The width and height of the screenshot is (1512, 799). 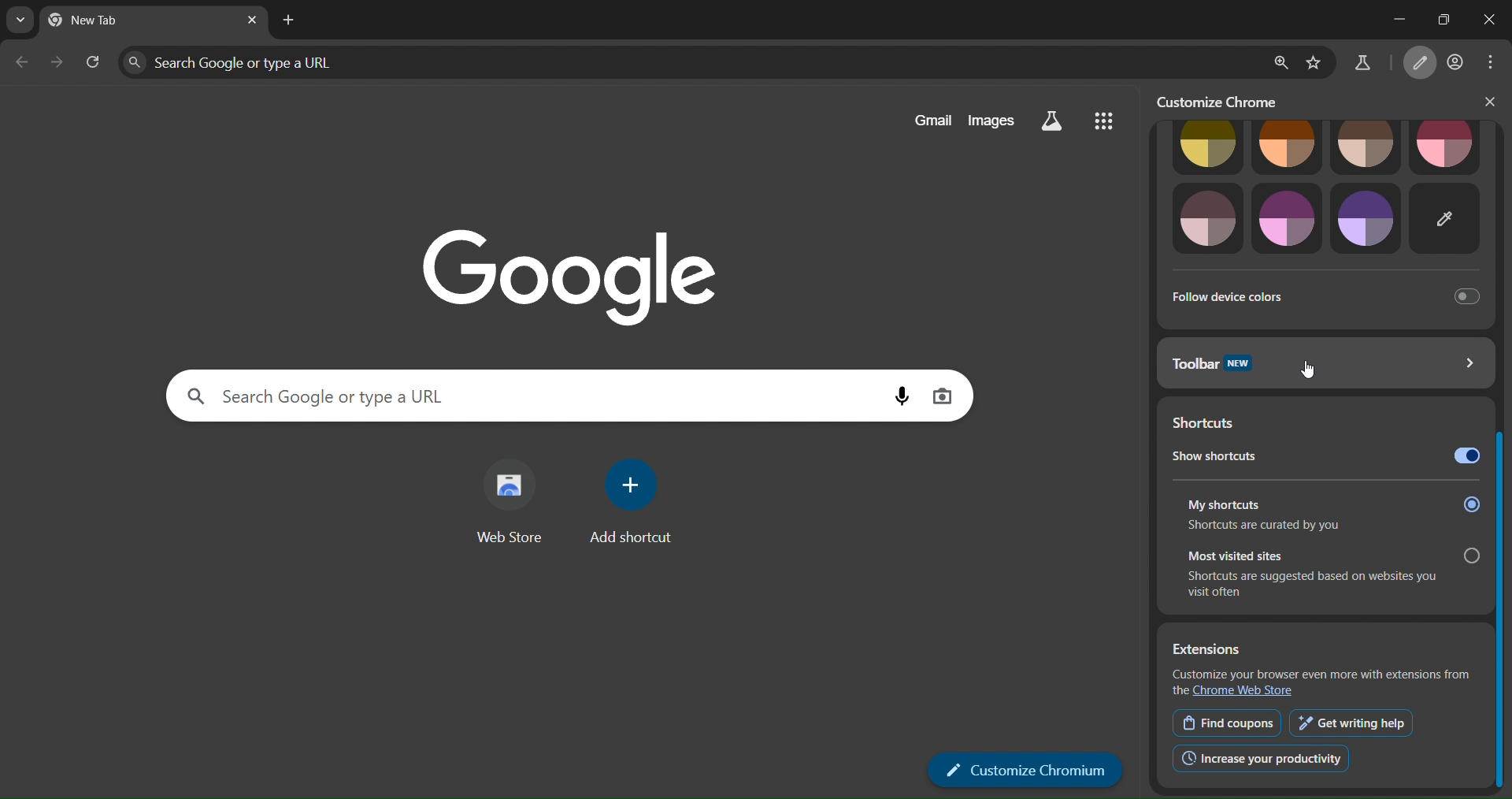 What do you see at coordinates (289, 20) in the screenshot?
I see `new tab` at bounding box center [289, 20].